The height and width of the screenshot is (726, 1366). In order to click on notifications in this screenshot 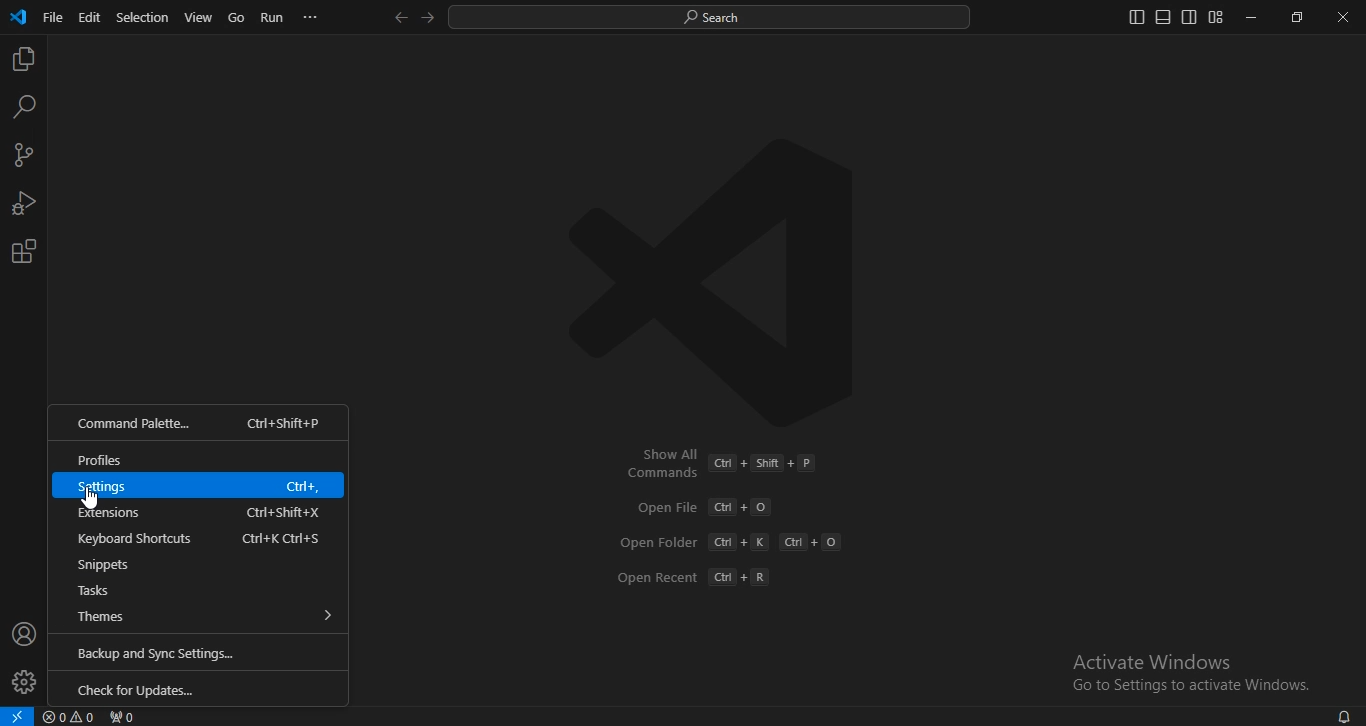, I will do `click(1343, 715)`.